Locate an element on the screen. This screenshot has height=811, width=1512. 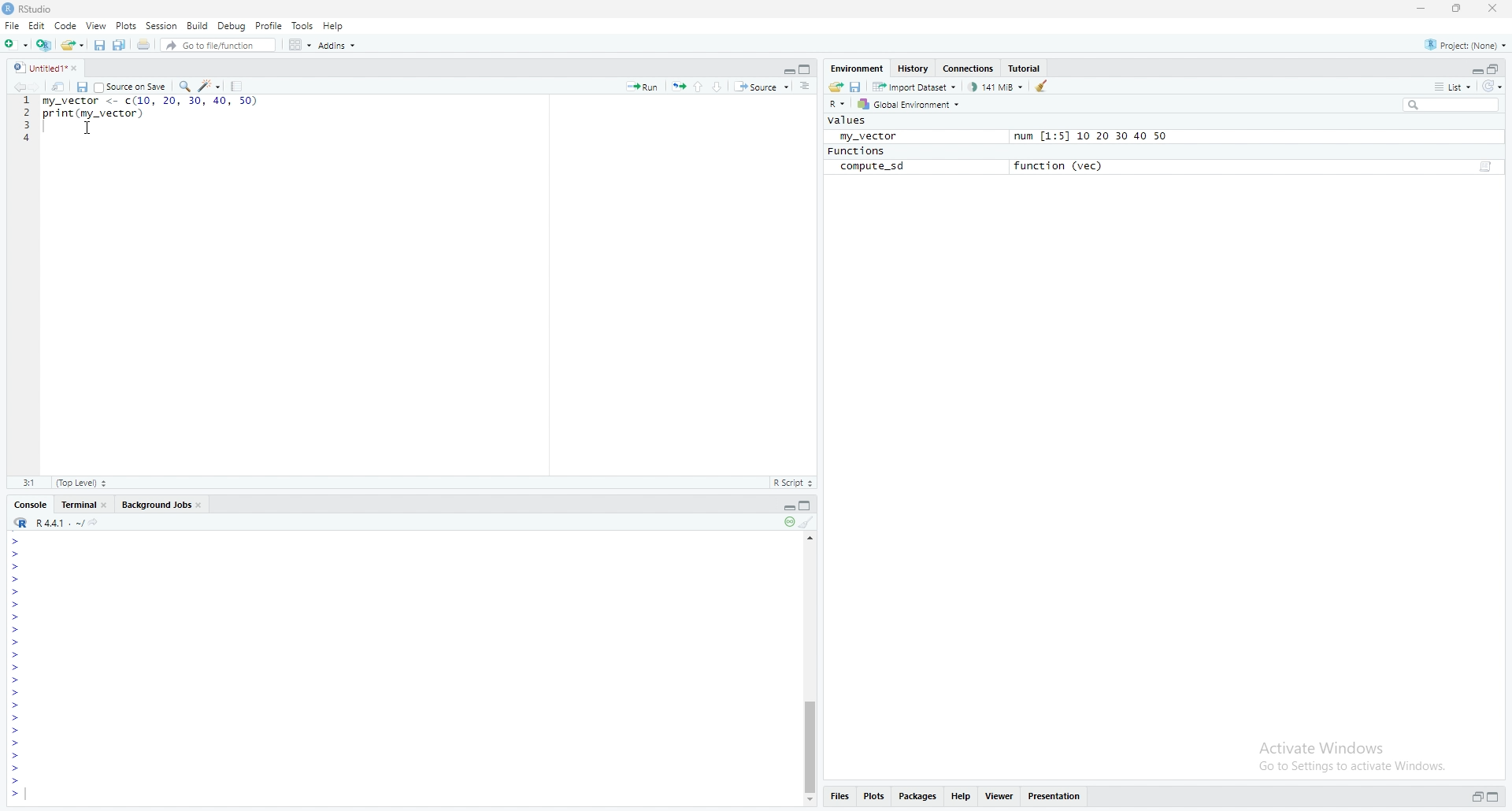
Help is located at coordinates (960, 795).